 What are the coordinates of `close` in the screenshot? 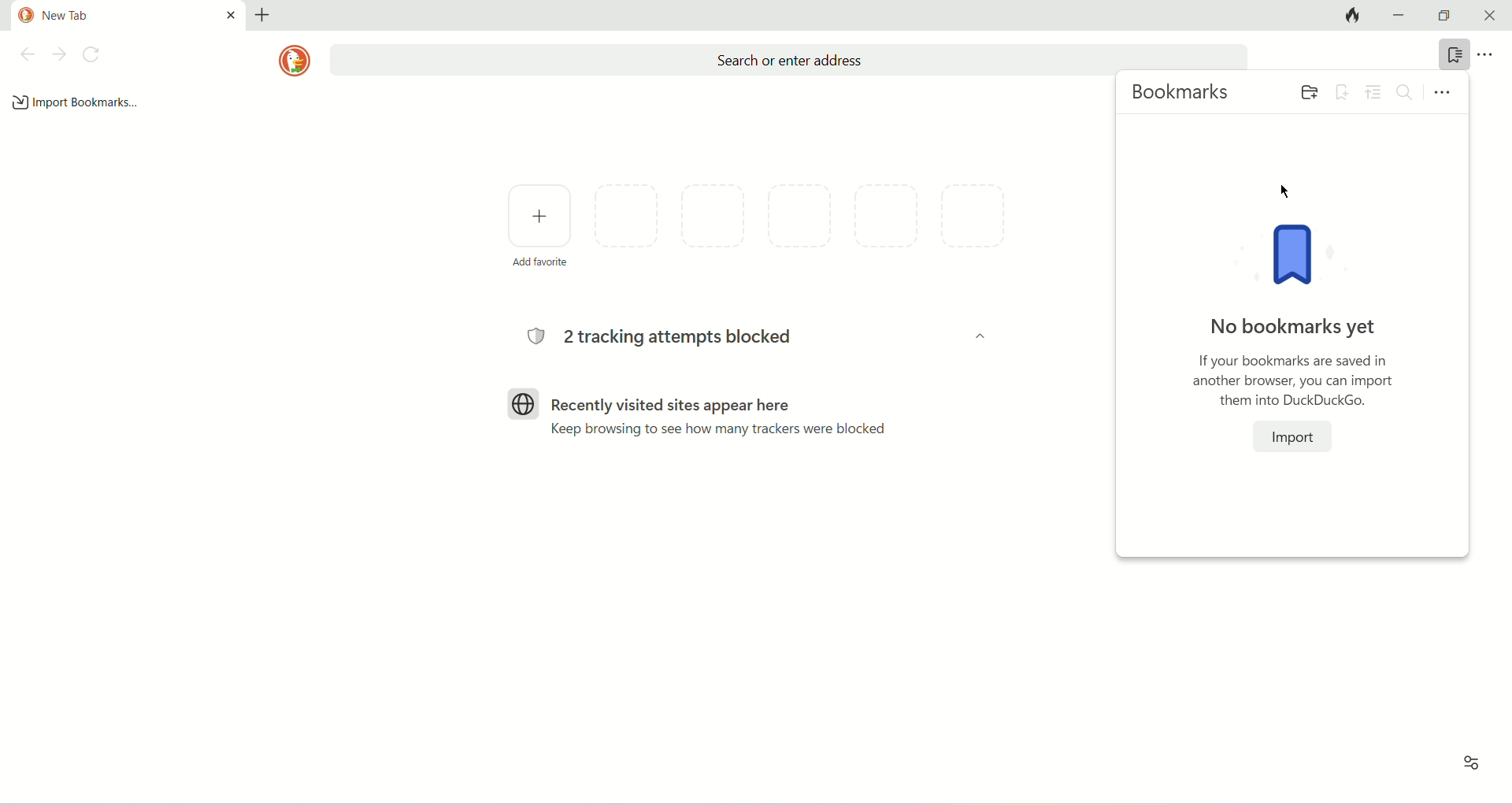 It's located at (1491, 16).